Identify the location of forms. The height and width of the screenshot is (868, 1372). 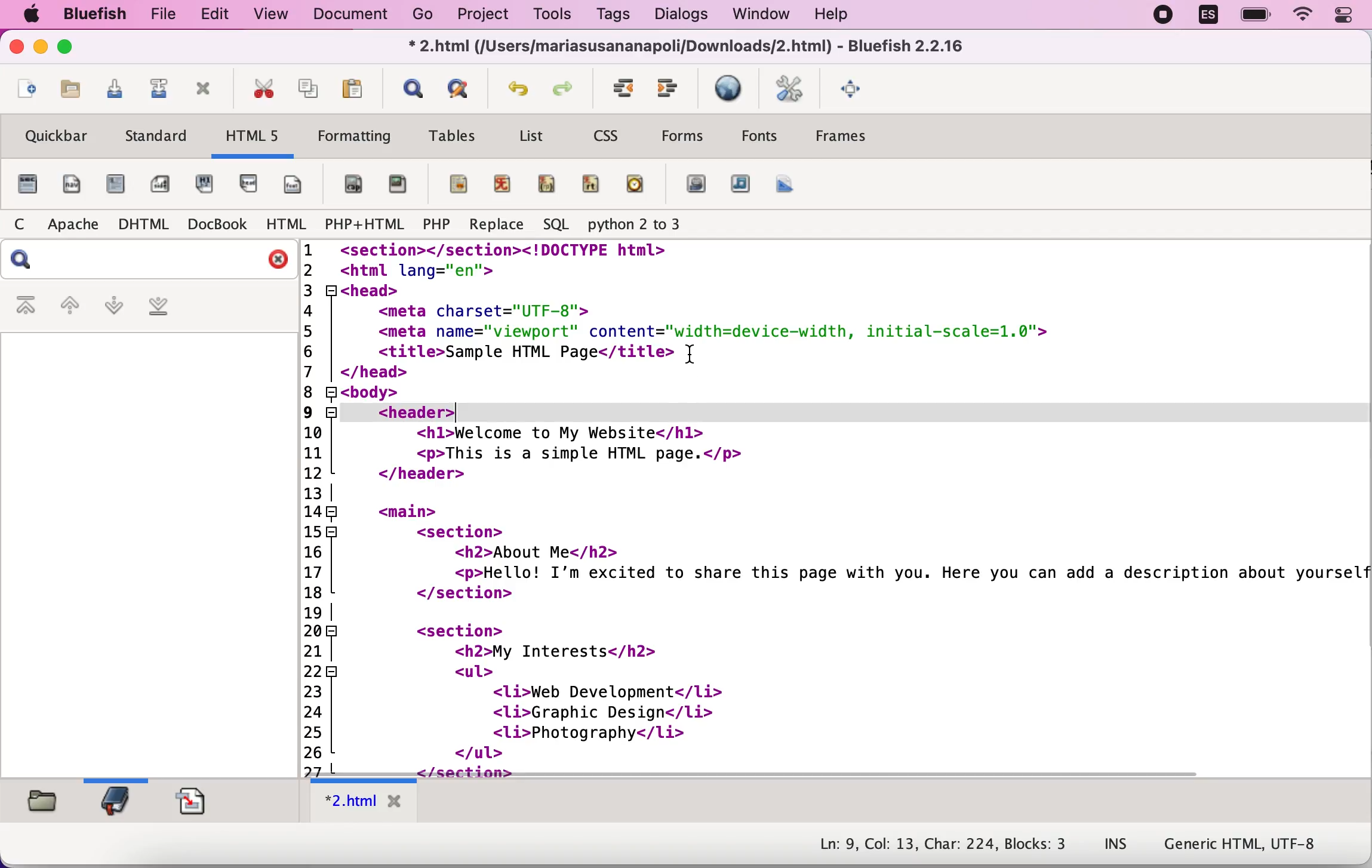
(687, 136).